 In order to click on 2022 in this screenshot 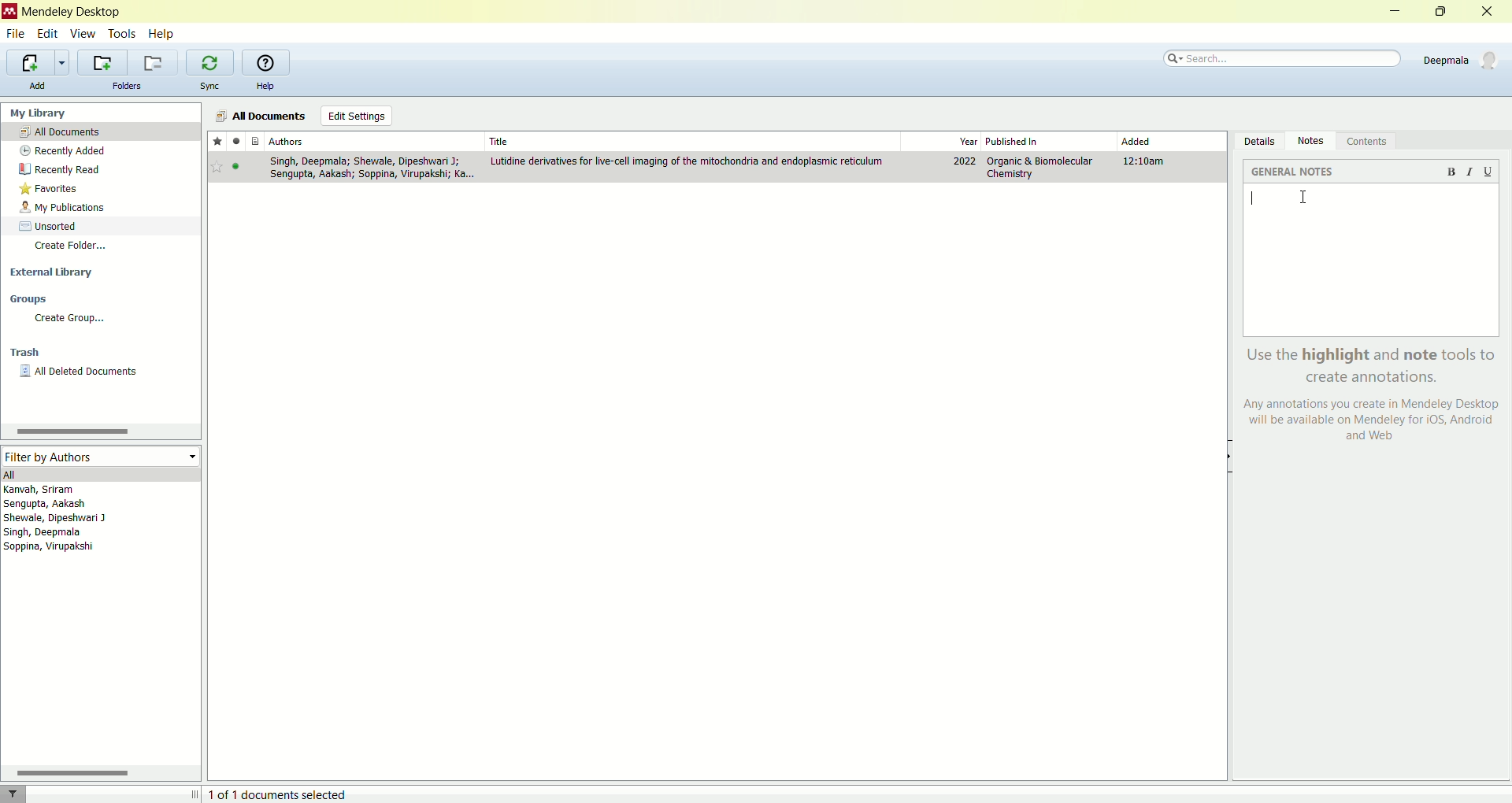, I will do `click(965, 162)`.